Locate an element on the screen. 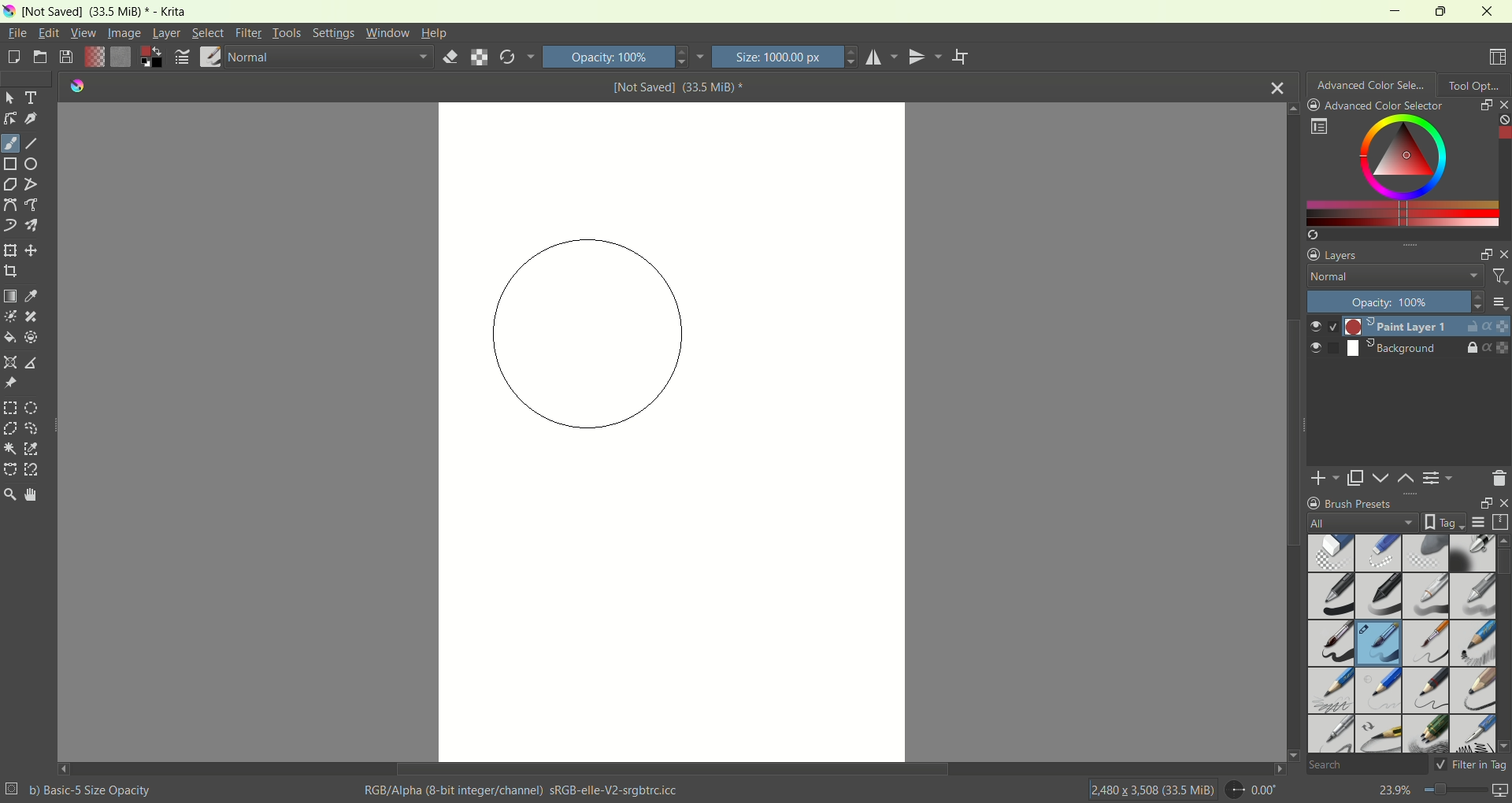 The width and height of the screenshot is (1512, 803). pencil 2 is located at coordinates (1426, 691).